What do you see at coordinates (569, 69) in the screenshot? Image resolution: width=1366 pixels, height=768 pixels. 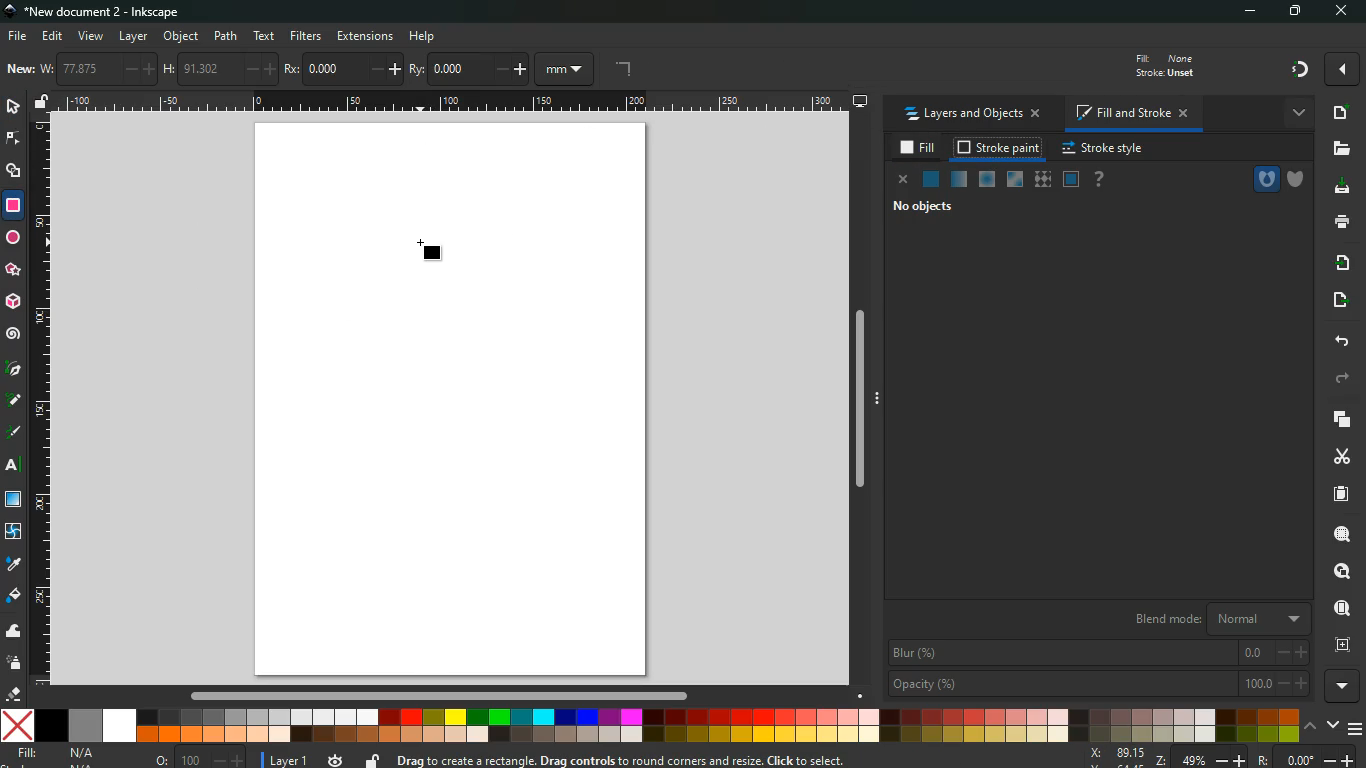 I see `mm` at bounding box center [569, 69].